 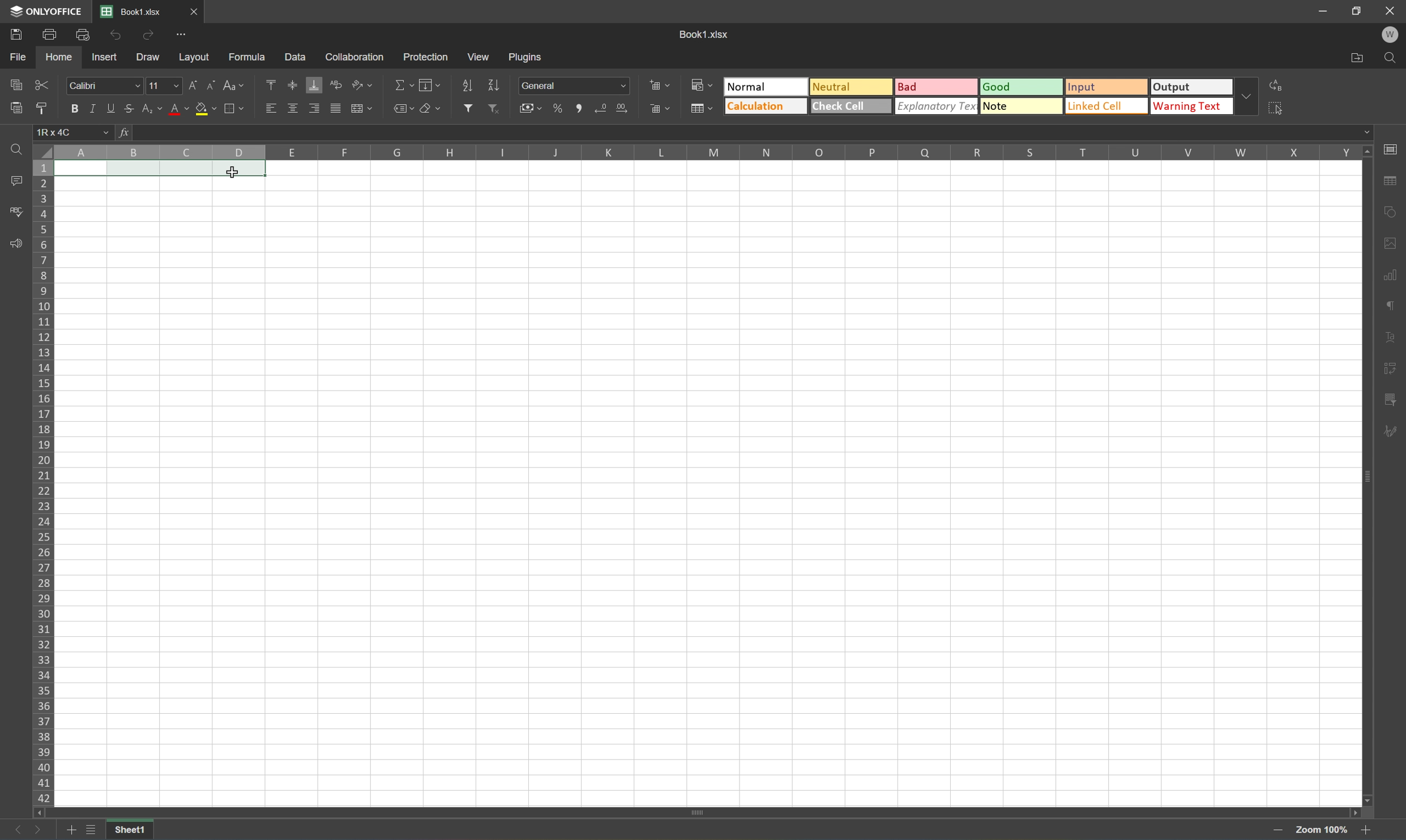 What do you see at coordinates (359, 57) in the screenshot?
I see `Collaboration` at bounding box center [359, 57].